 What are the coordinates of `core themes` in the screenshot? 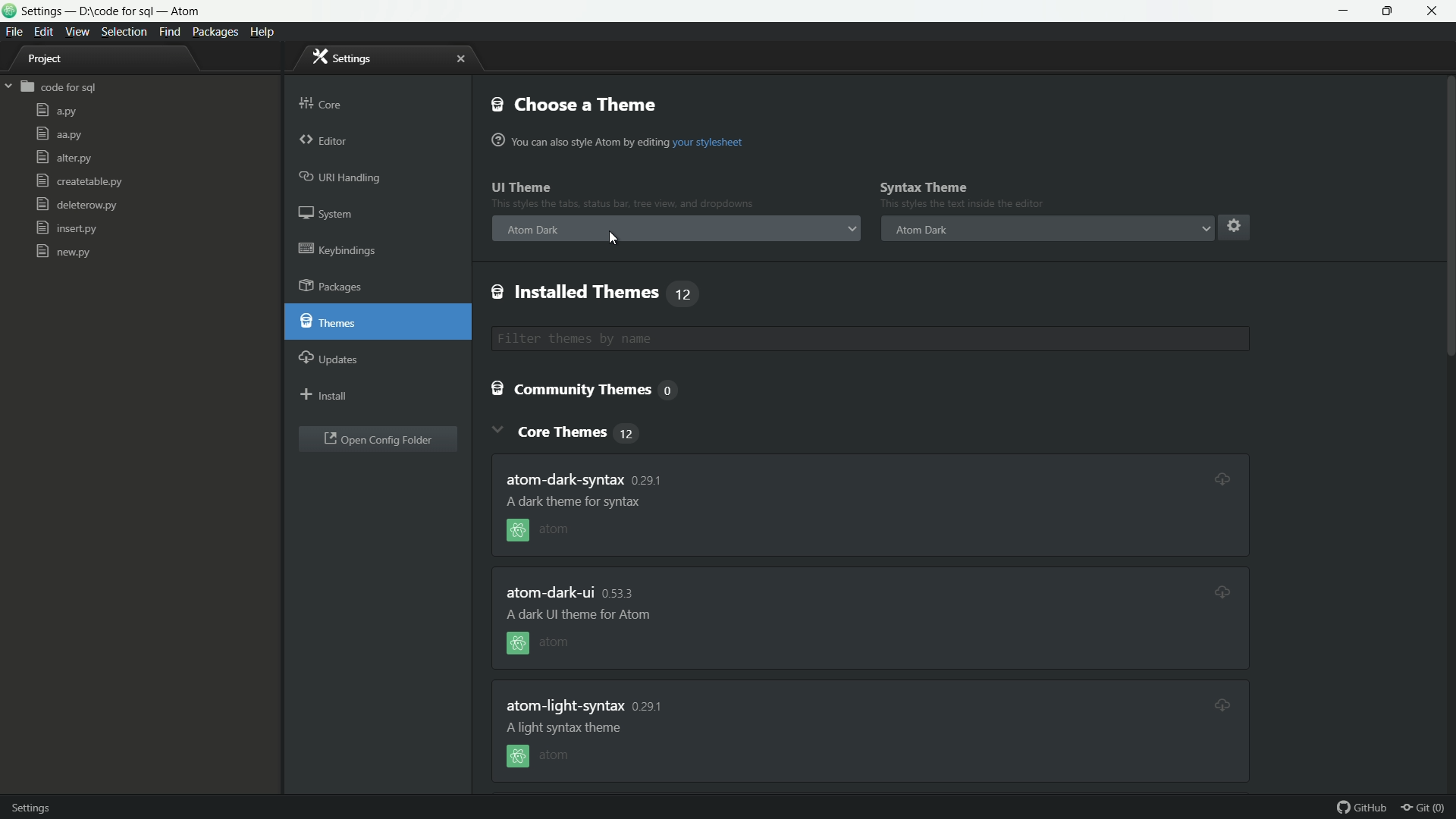 It's located at (581, 431).